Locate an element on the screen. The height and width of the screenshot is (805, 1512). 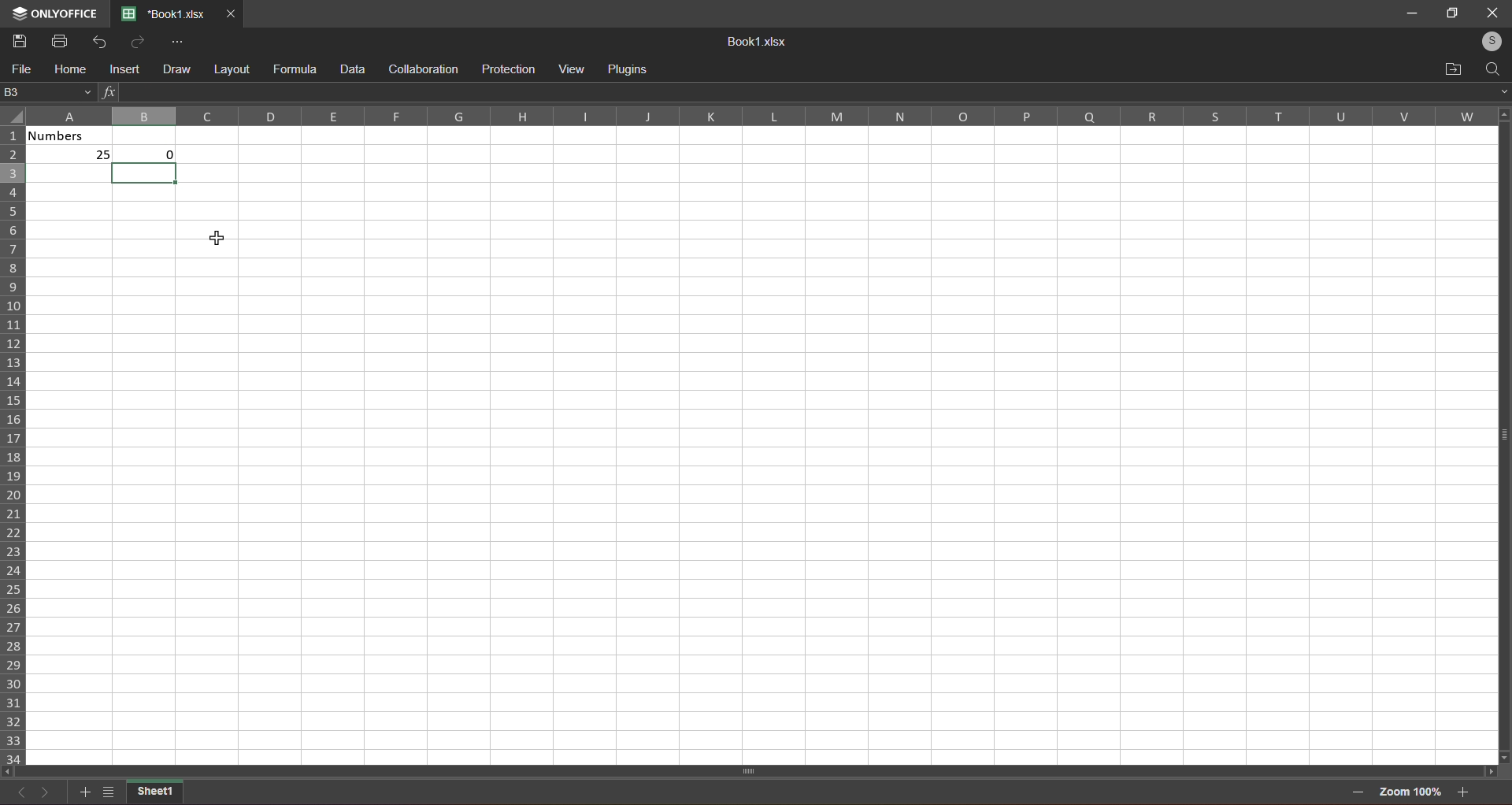
sheet1 is located at coordinates (157, 793).